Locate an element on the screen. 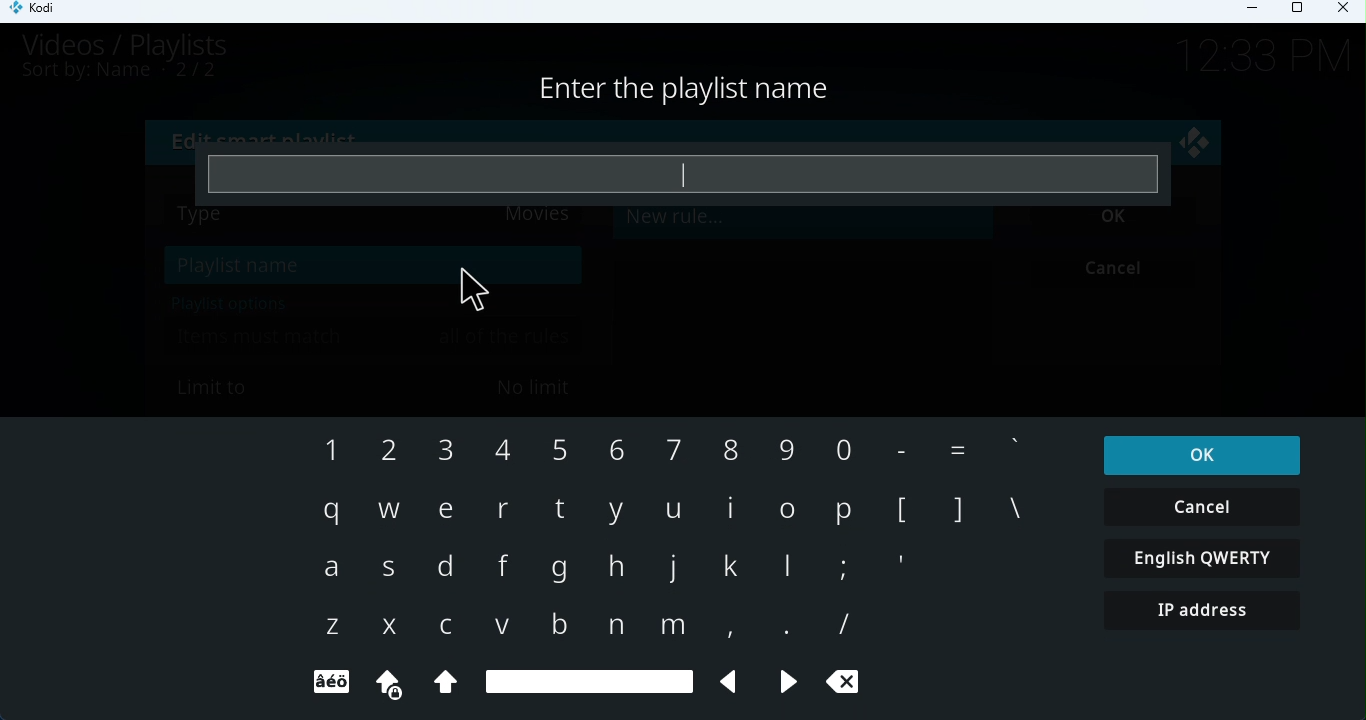  Maximize is located at coordinates (1301, 9).